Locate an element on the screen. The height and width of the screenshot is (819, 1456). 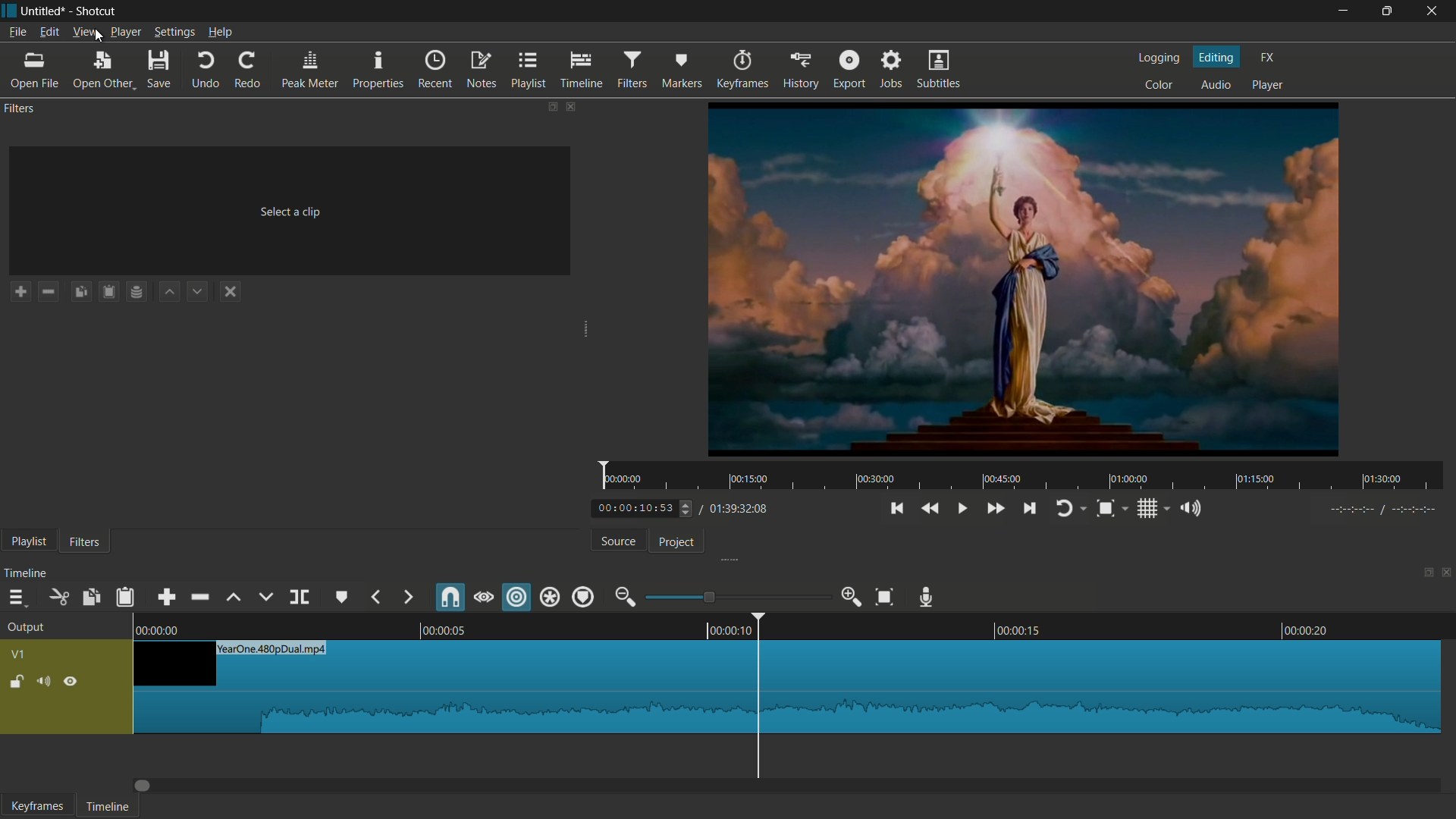
snap is located at coordinates (449, 598).